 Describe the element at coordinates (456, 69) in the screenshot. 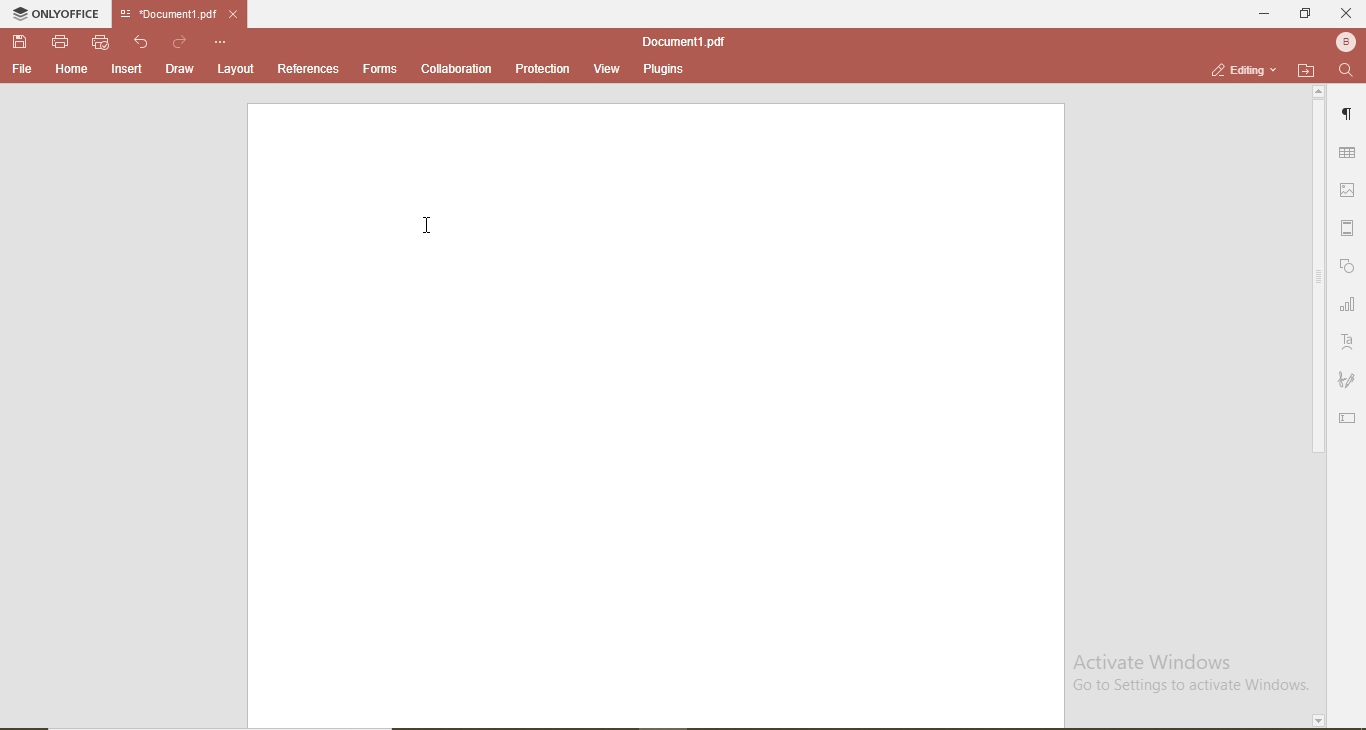

I see `collaboration` at that location.